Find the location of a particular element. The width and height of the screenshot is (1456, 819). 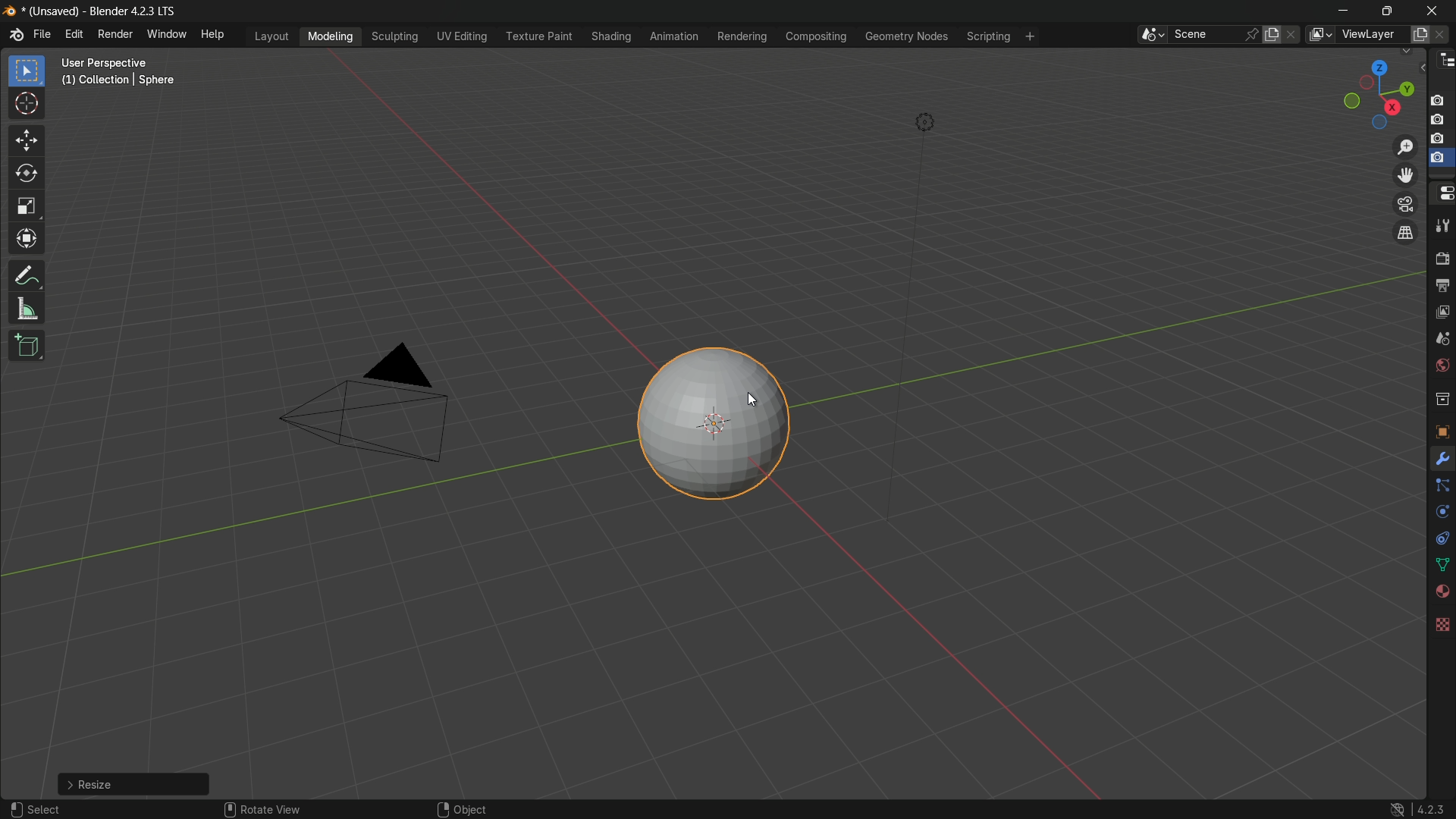

modifier is located at coordinates (1442, 460).